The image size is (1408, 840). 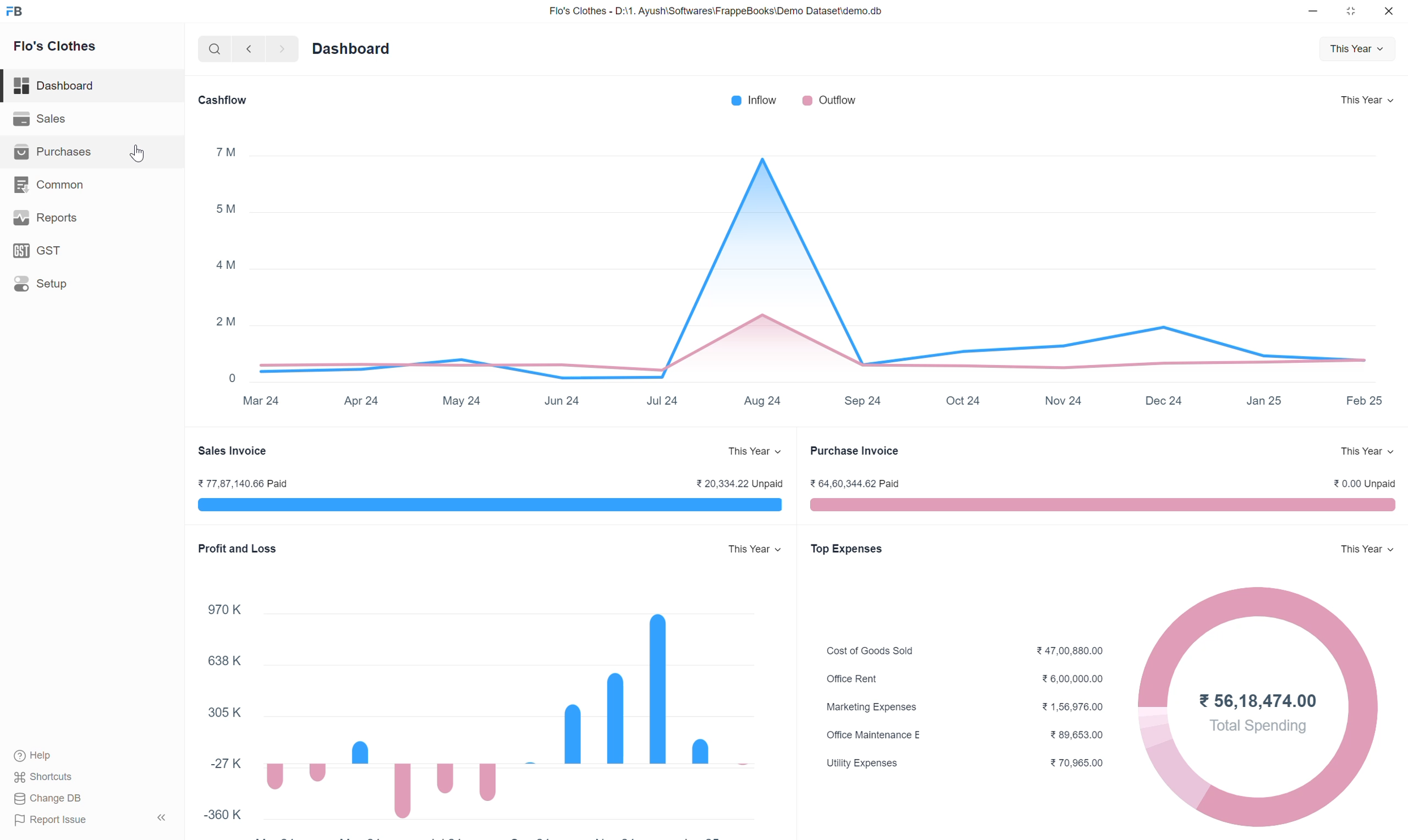 What do you see at coordinates (661, 400) in the screenshot?
I see `Jul 24` at bounding box center [661, 400].